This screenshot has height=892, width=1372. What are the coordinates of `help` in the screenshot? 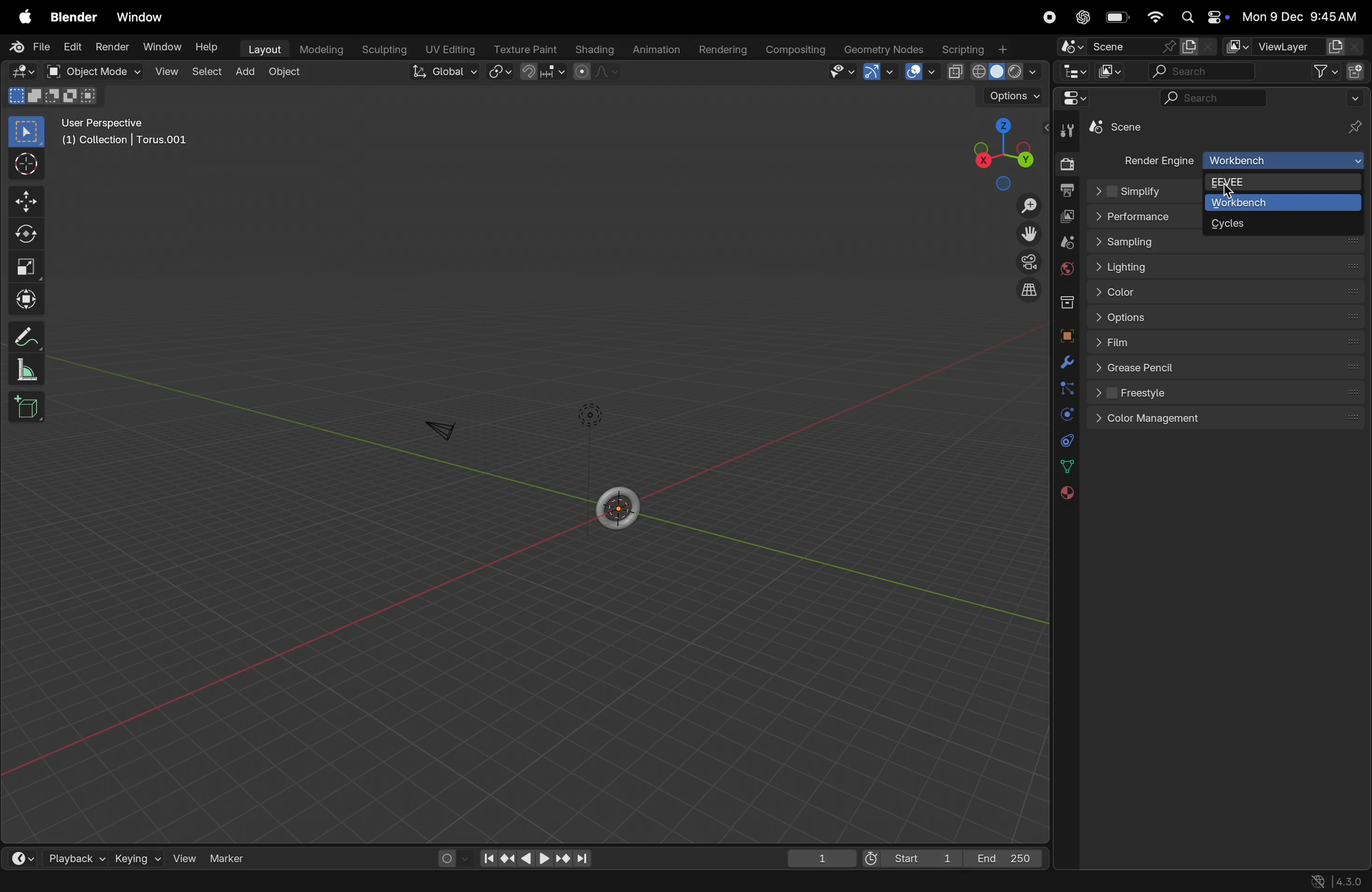 It's located at (208, 48).